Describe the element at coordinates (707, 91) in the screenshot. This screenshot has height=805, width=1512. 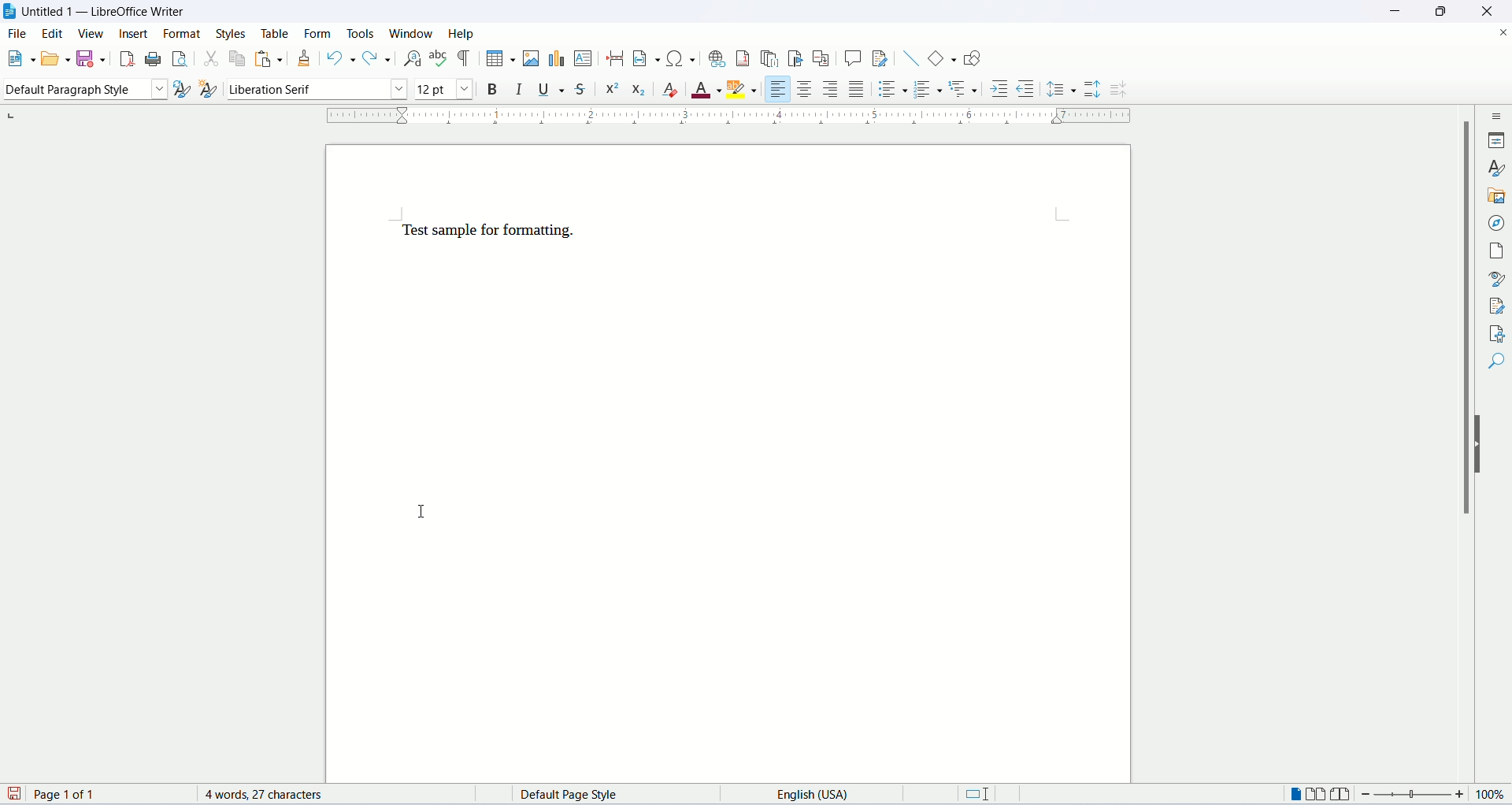
I see `font color` at that location.